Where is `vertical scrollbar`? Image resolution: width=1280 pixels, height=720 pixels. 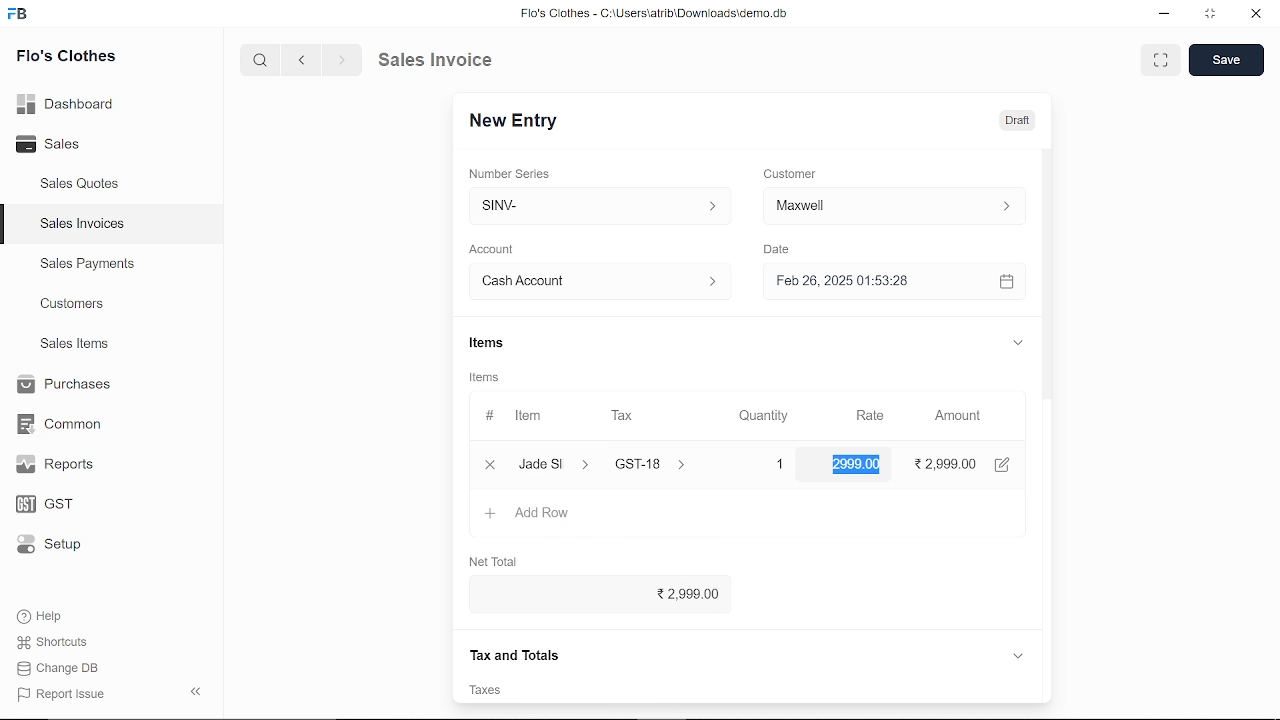
vertical scrollbar is located at coordinates (1048, 329).